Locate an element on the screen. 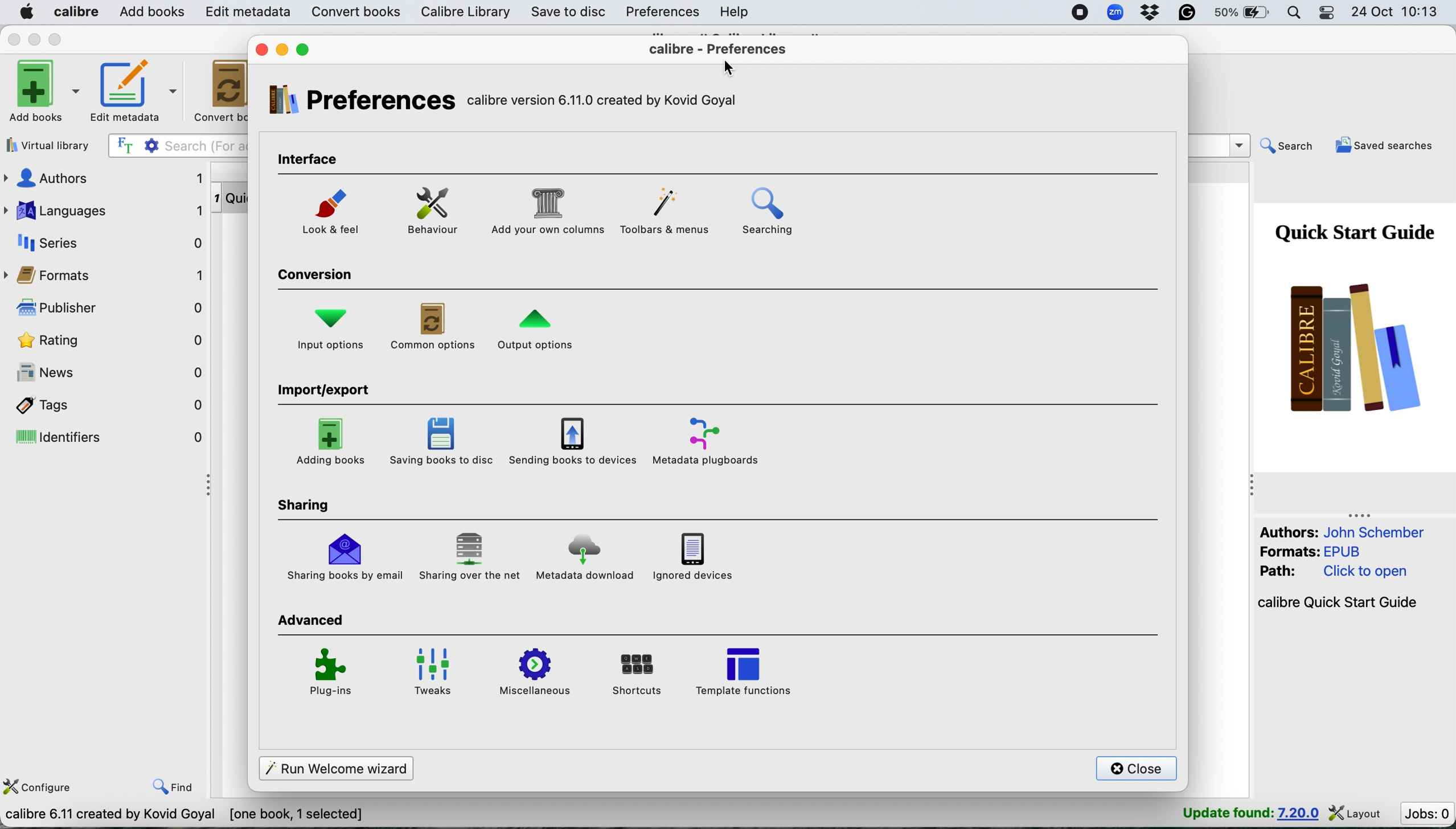 Image resolution: width=1456 pixels, height=829 pixels. dropdown is located at coordinates (1238, 143).